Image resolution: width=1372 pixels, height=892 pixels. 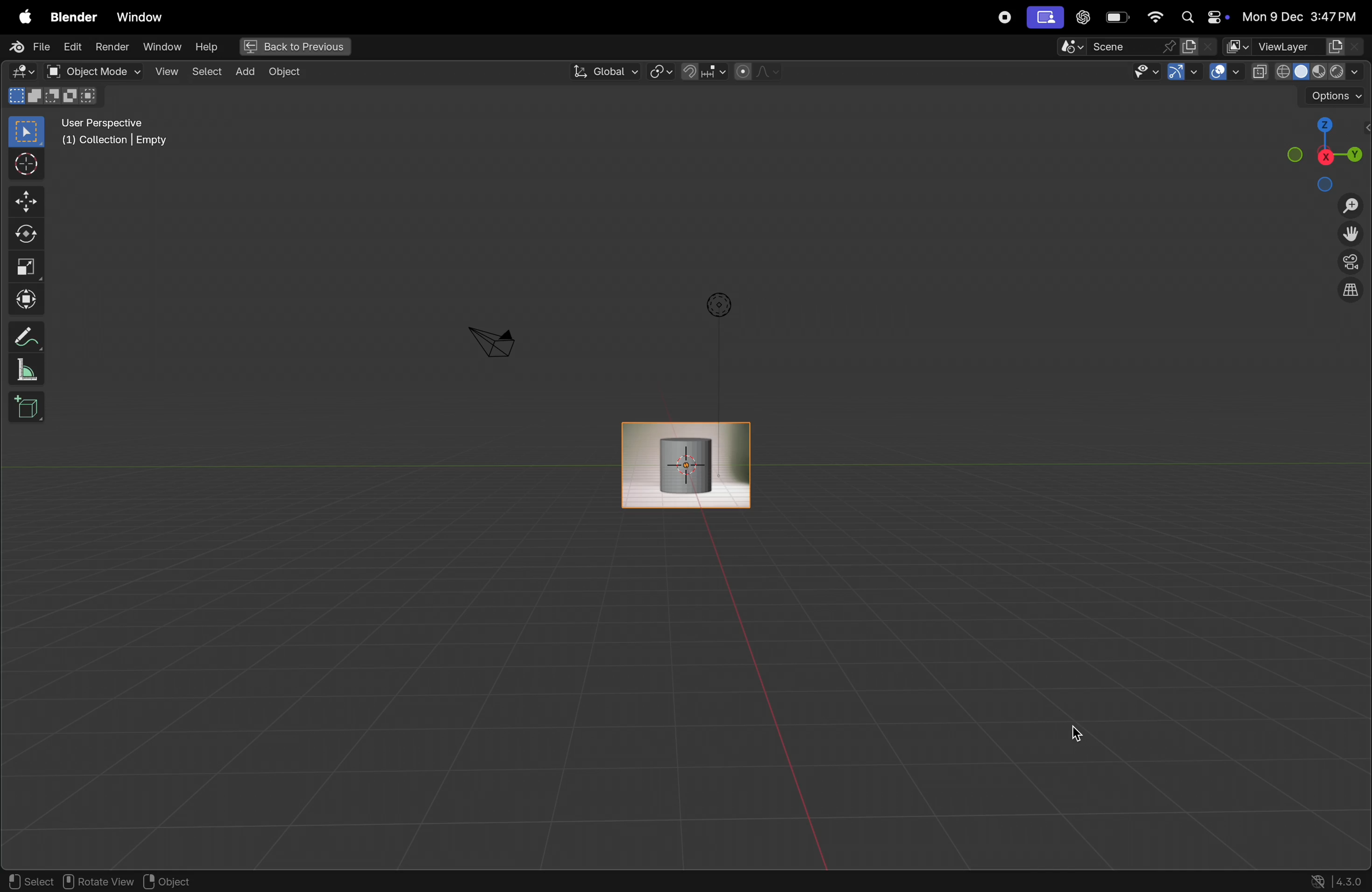 What do you see at coordinates (27, 407) in the screenshot?
I see `3d cube` at bounding box center [27, 407].